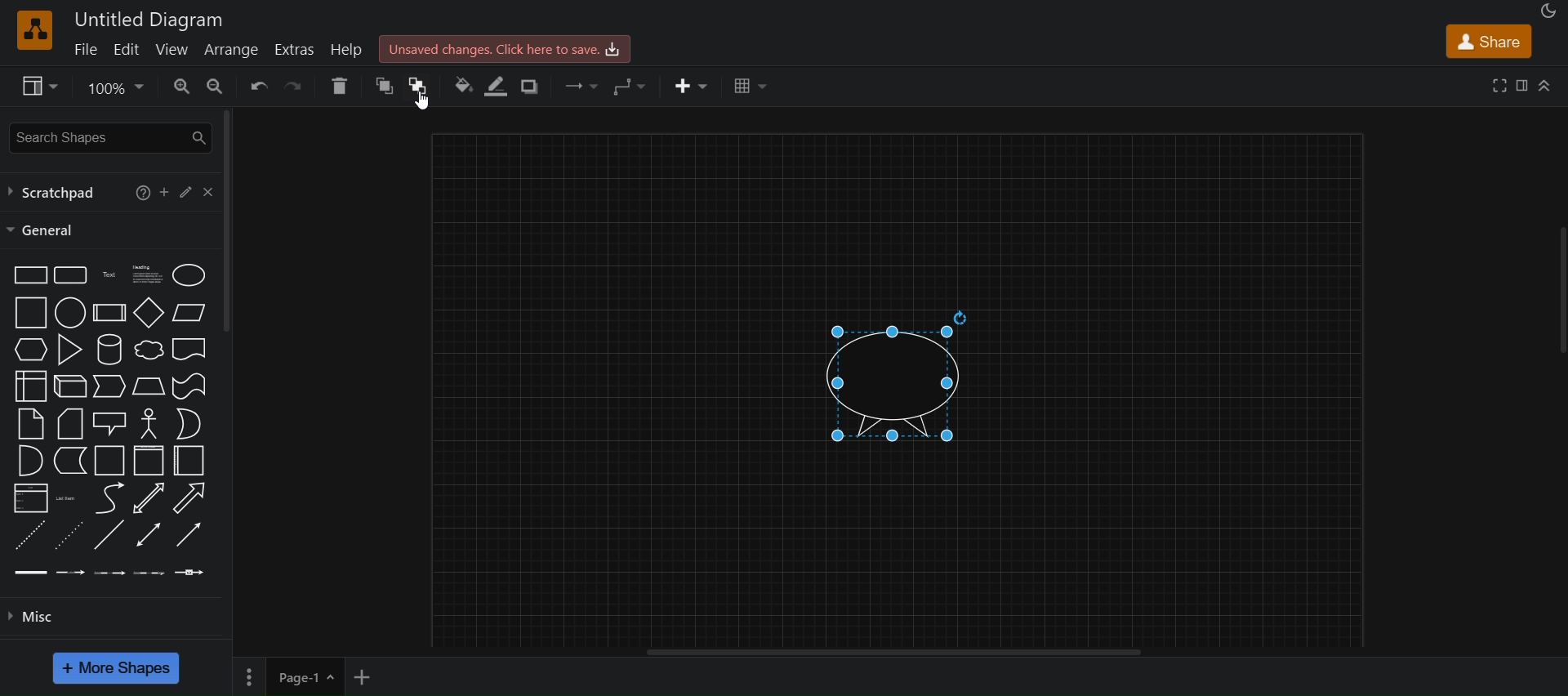  What do you see at coordinates (150, 274) in the screenshot?
I see `textbox` at bounding box center [150, 274].